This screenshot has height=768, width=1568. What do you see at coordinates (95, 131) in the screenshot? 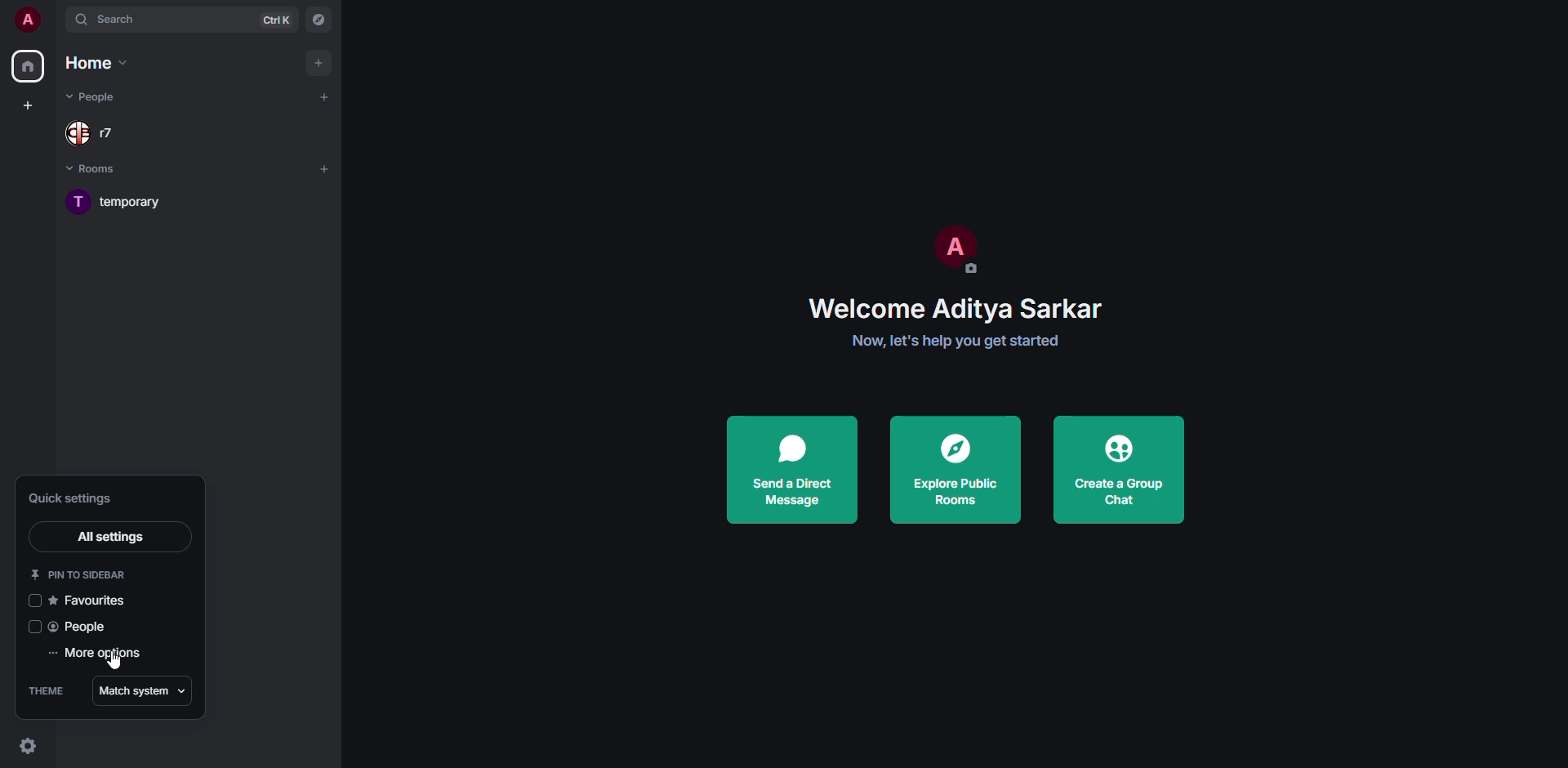
I see `people` at bounding box center [95, 131].